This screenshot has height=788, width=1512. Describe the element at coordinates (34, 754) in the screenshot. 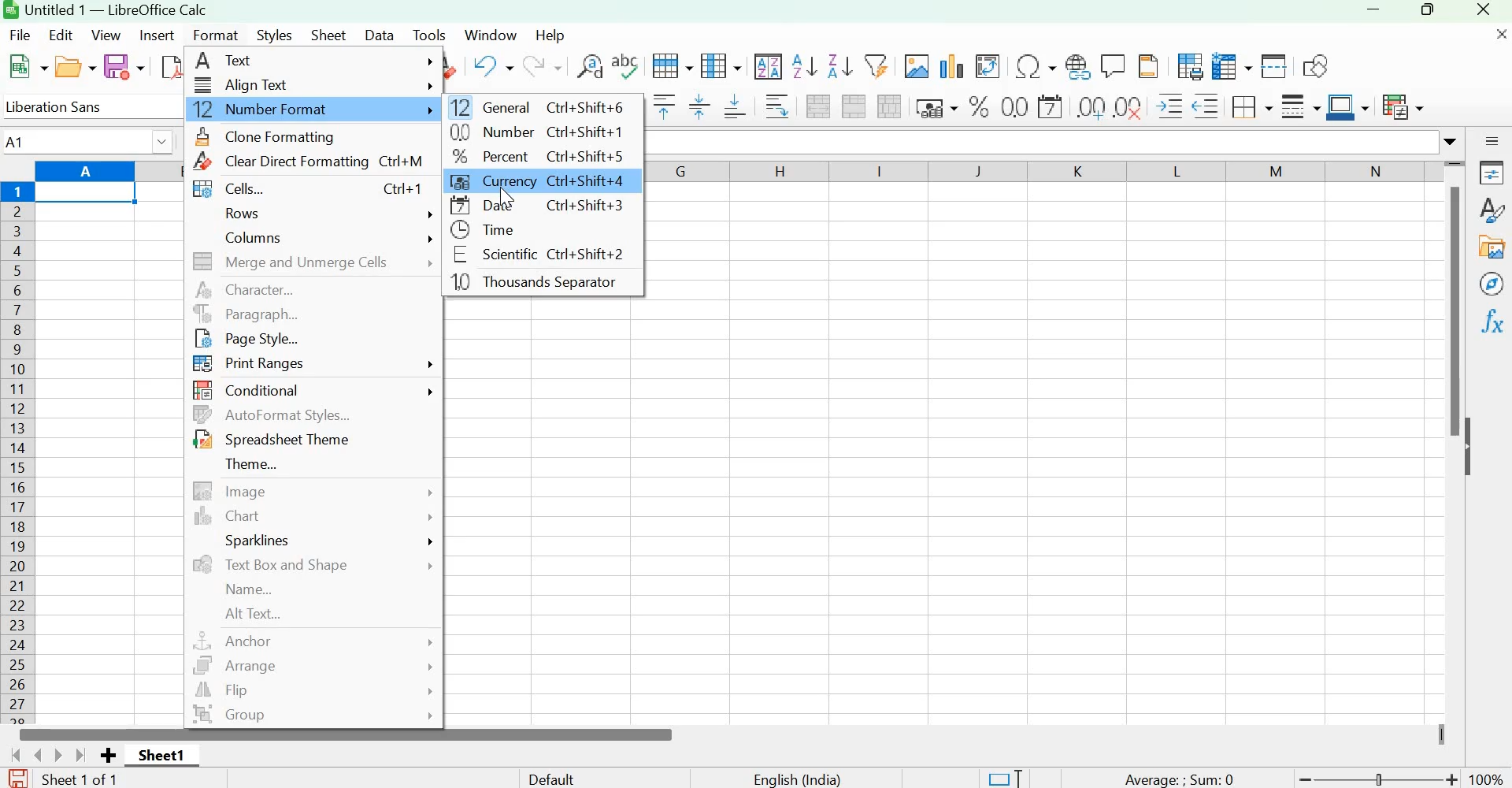

I see `Scroll to previous sheet` at that location.